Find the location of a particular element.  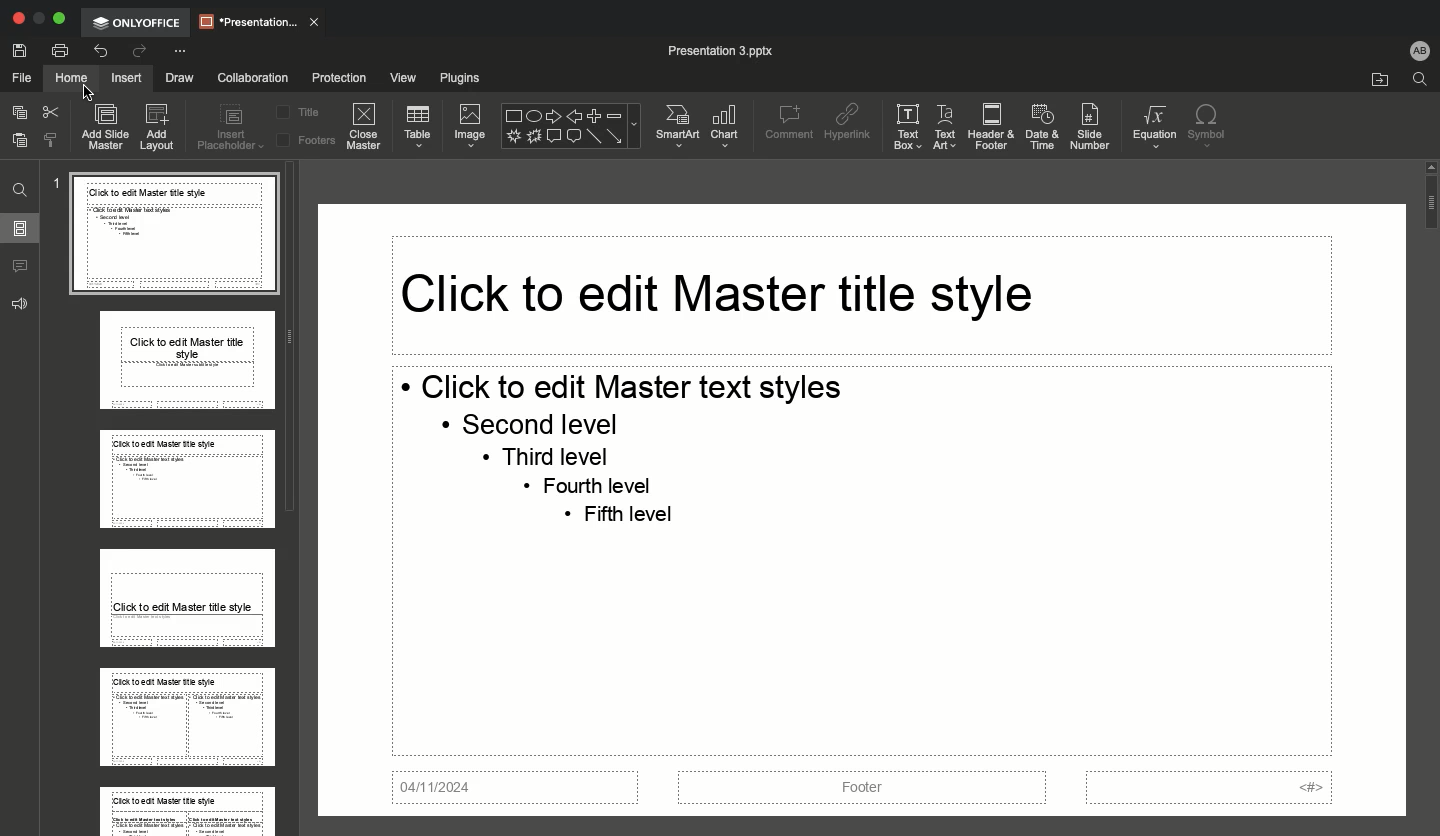

Plugins is located at coordinates (463, 76).